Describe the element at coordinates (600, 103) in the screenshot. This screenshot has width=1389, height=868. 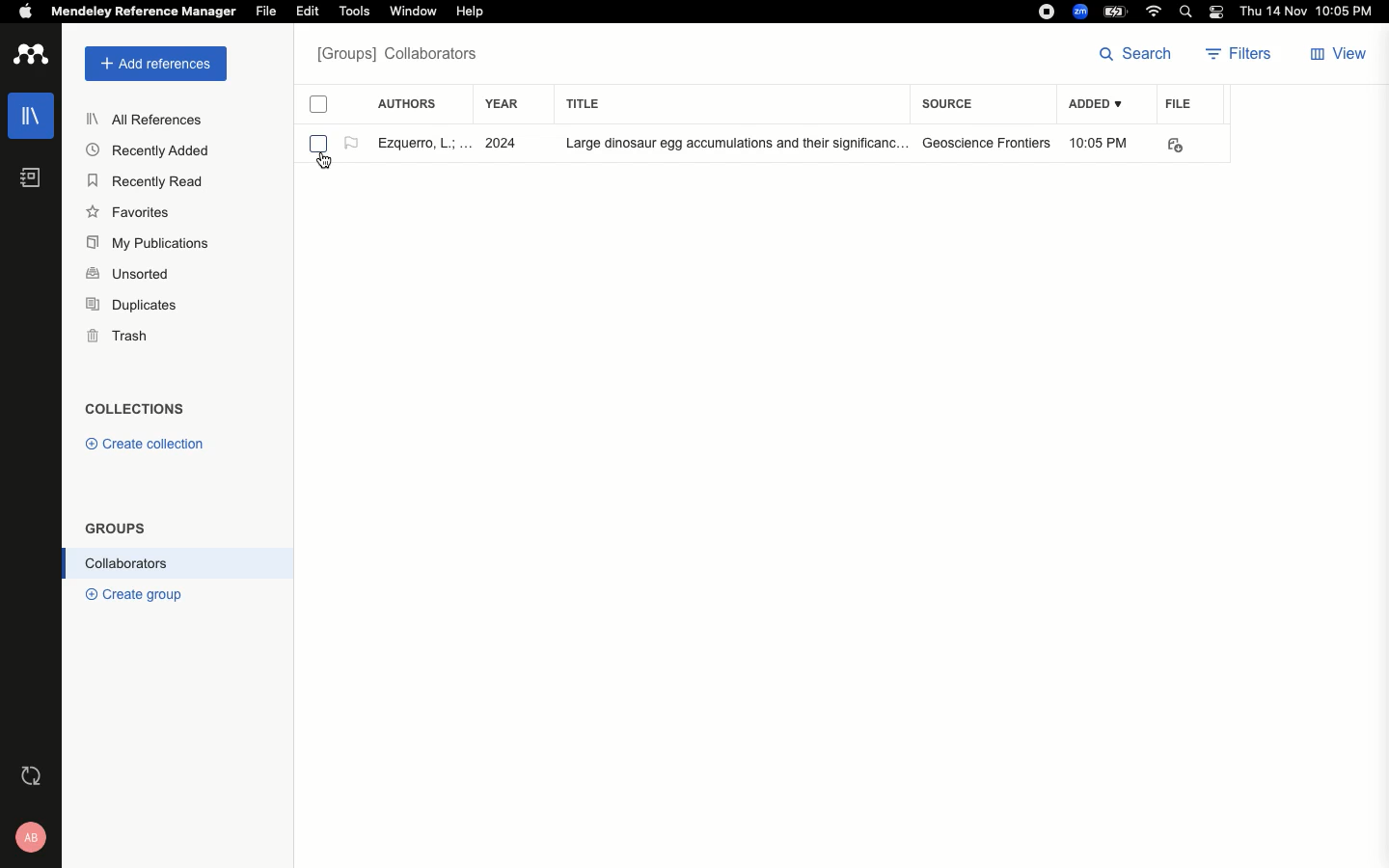
I see `title` at that location.